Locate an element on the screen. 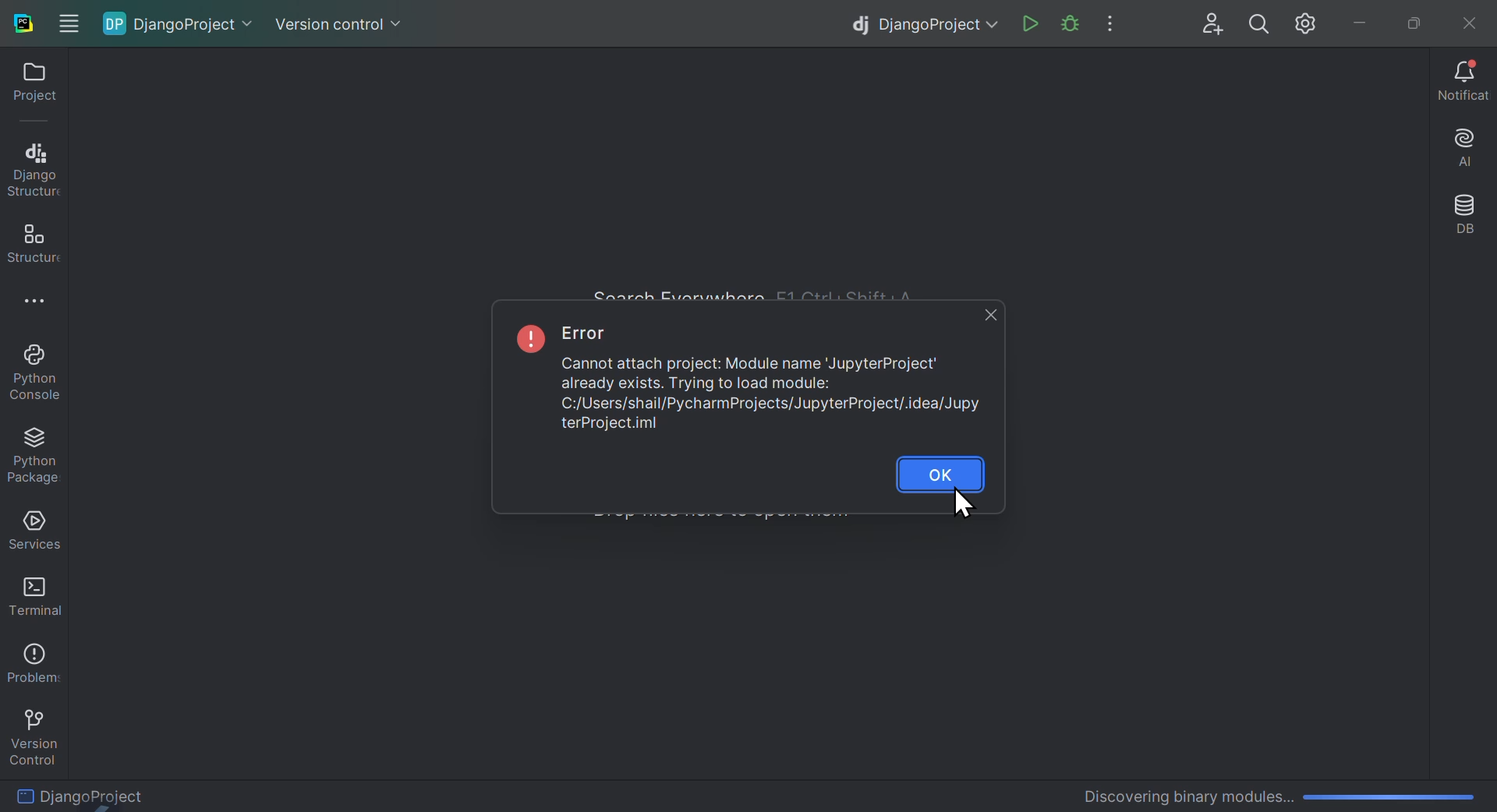 The image size is (1497, 812). Database is located at coordinates (1464, 217).